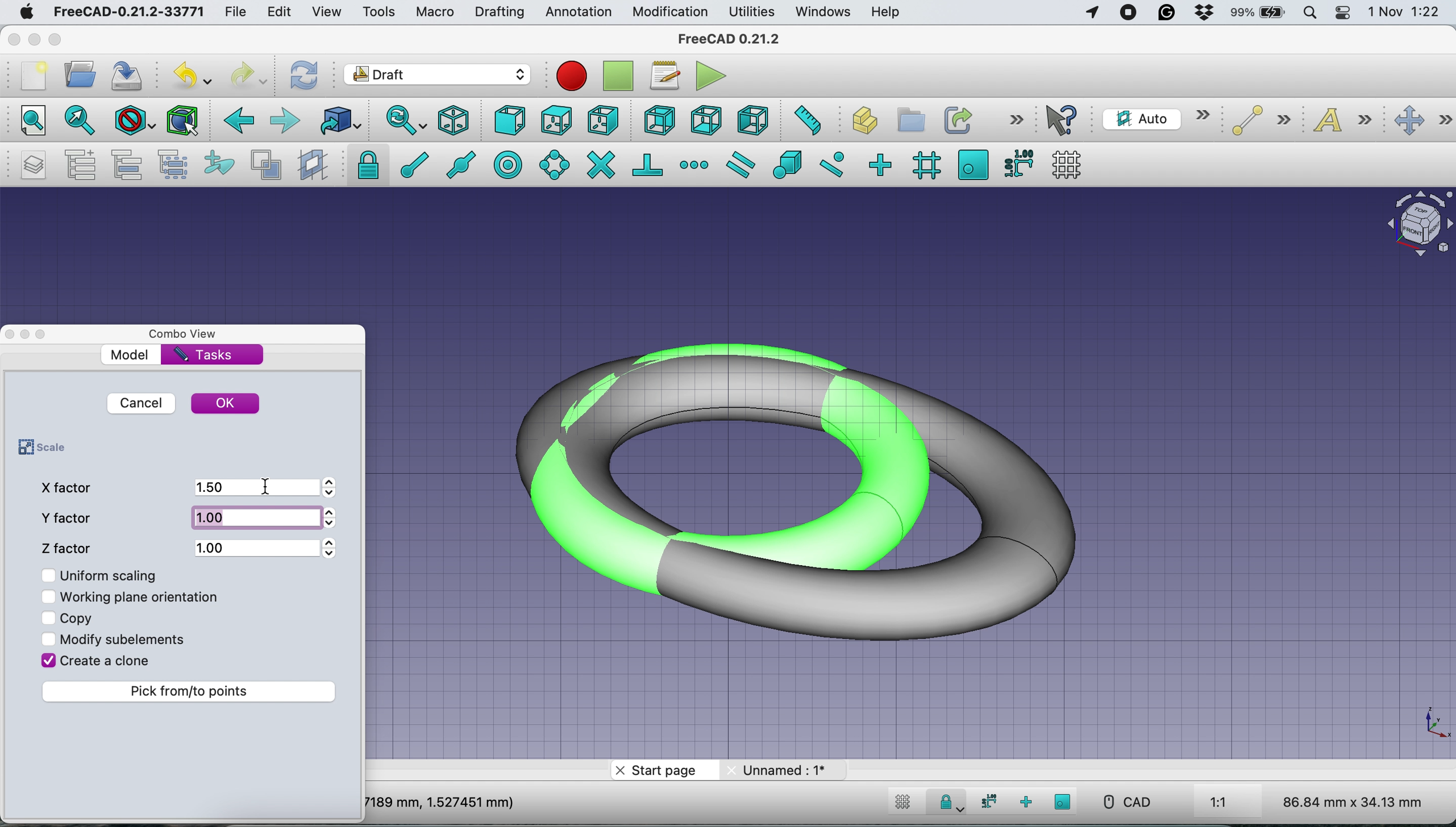 The height and width of the screenshot is (827, 1456). Describe the element at coordinates (859, 122) in the screenshot. I see `create part` at that location.